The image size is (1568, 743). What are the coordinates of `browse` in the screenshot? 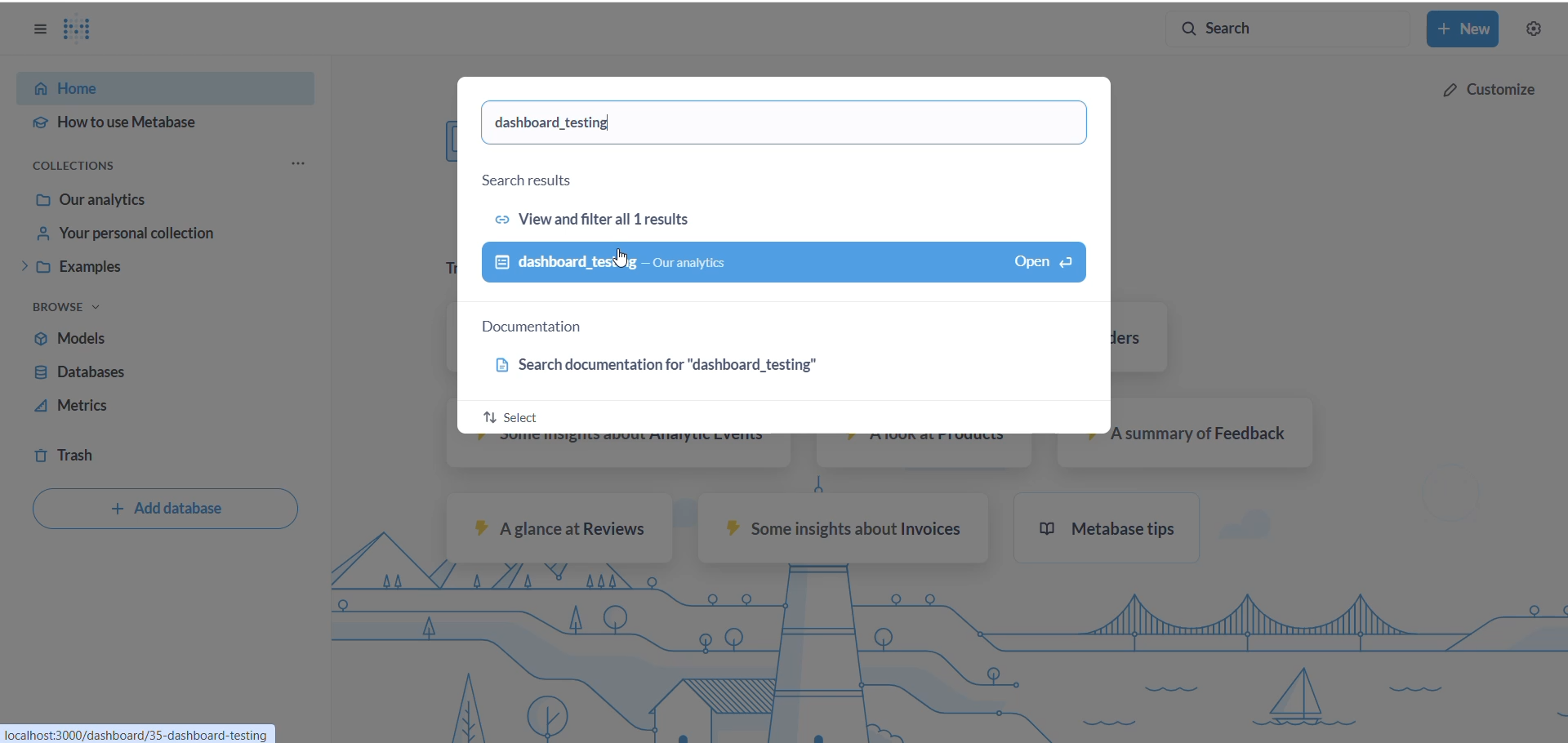 It's located at (78, 309).